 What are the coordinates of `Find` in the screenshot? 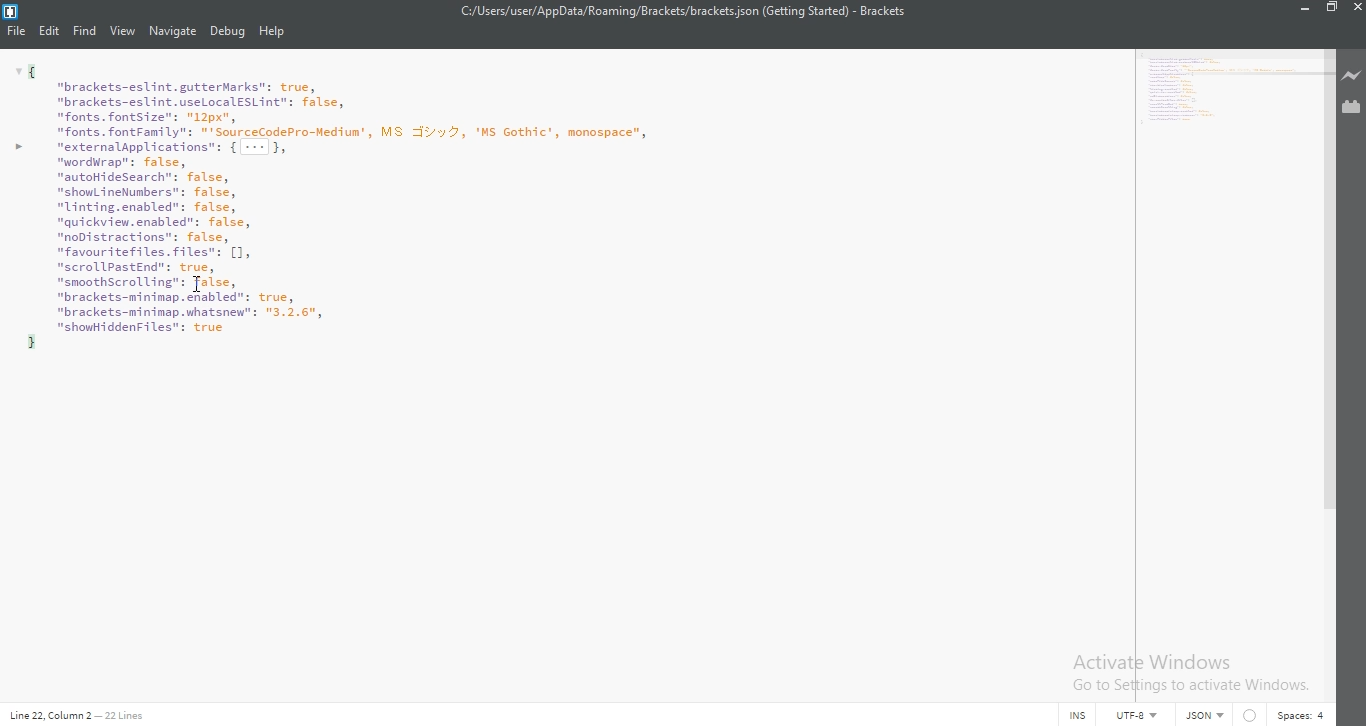 It's located at (85, 32).